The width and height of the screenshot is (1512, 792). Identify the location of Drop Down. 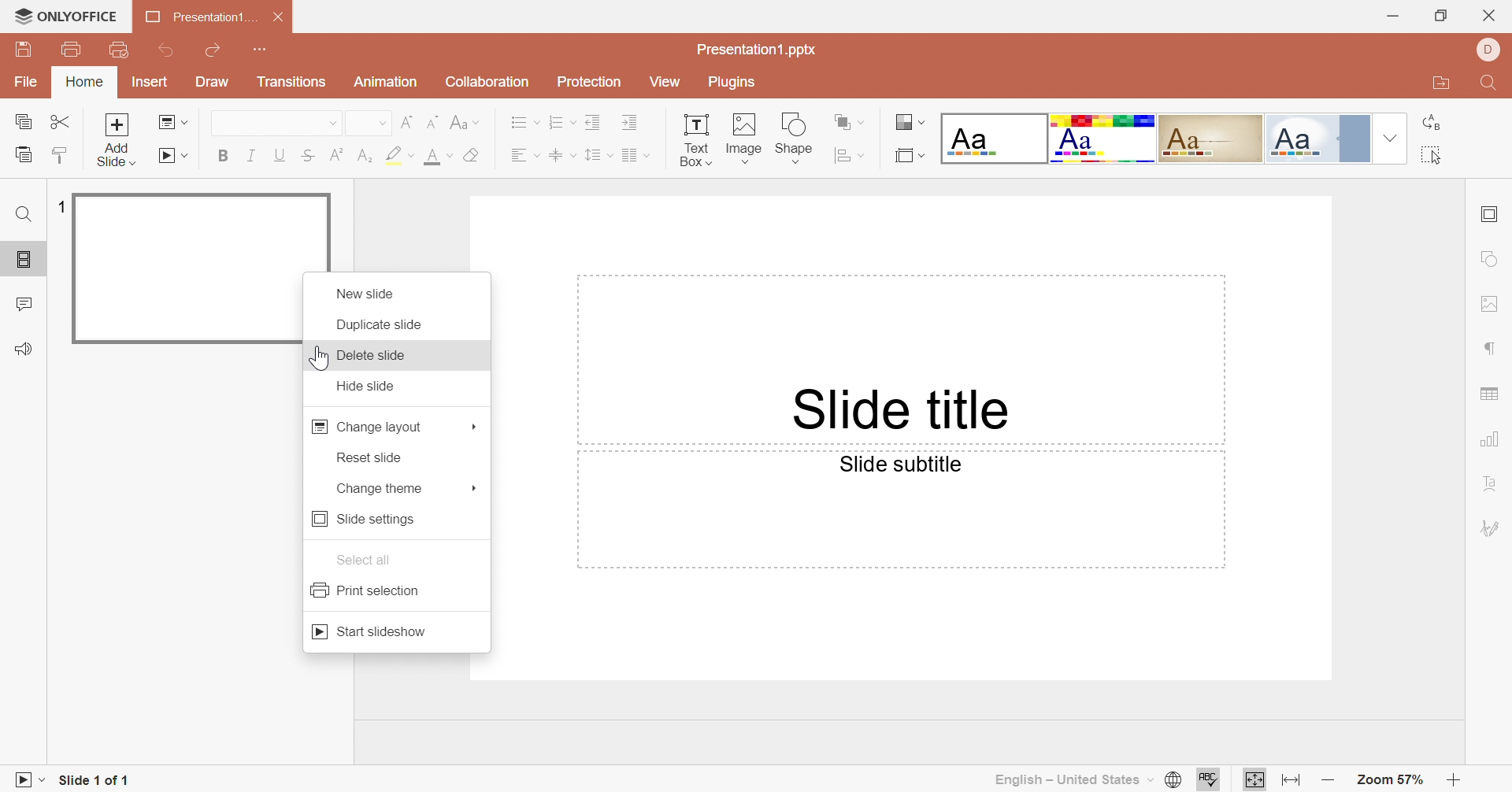
(1389, 138).